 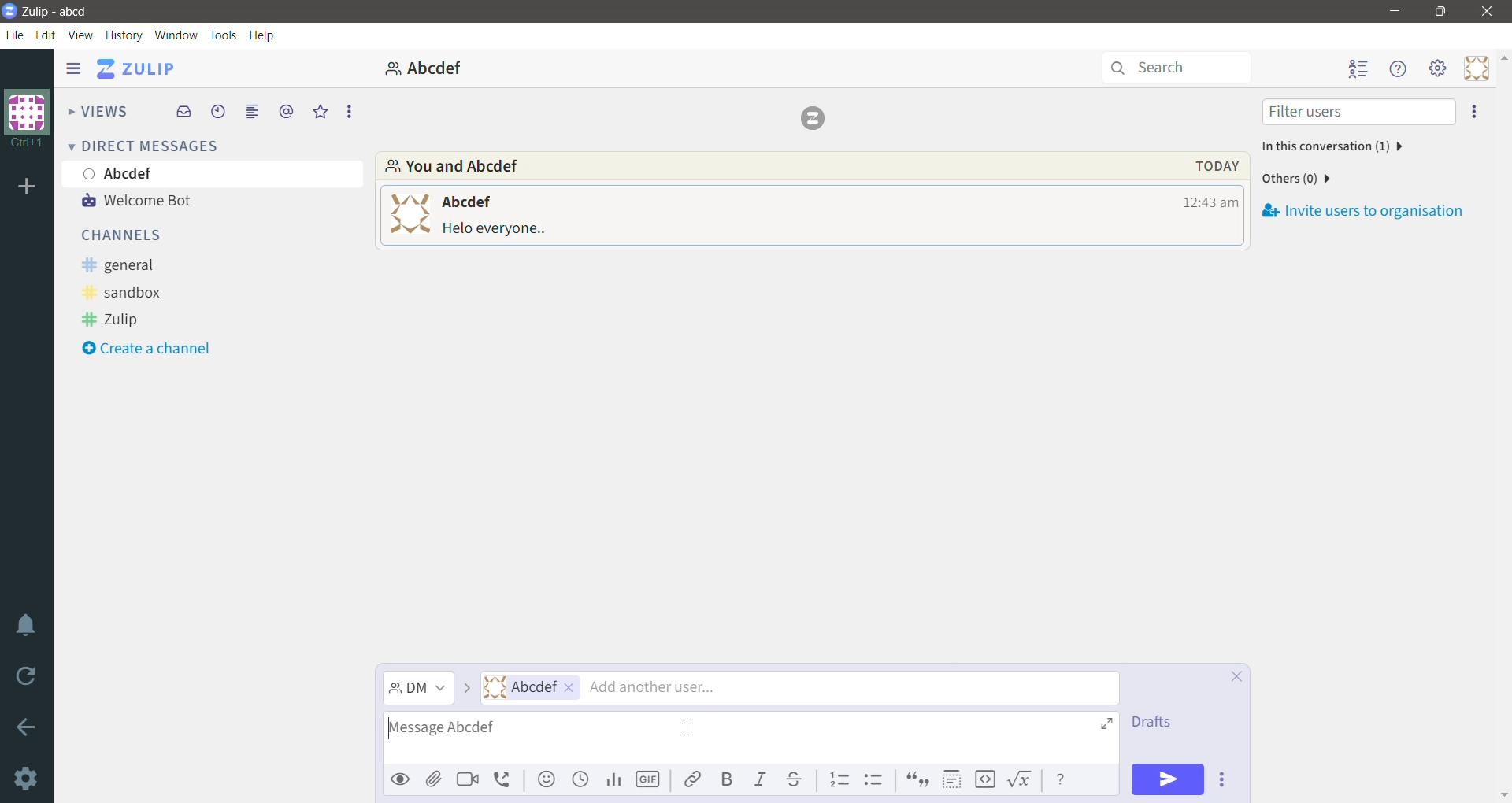 I want to click on Message Date, Time, so click(x=1209, y=166).